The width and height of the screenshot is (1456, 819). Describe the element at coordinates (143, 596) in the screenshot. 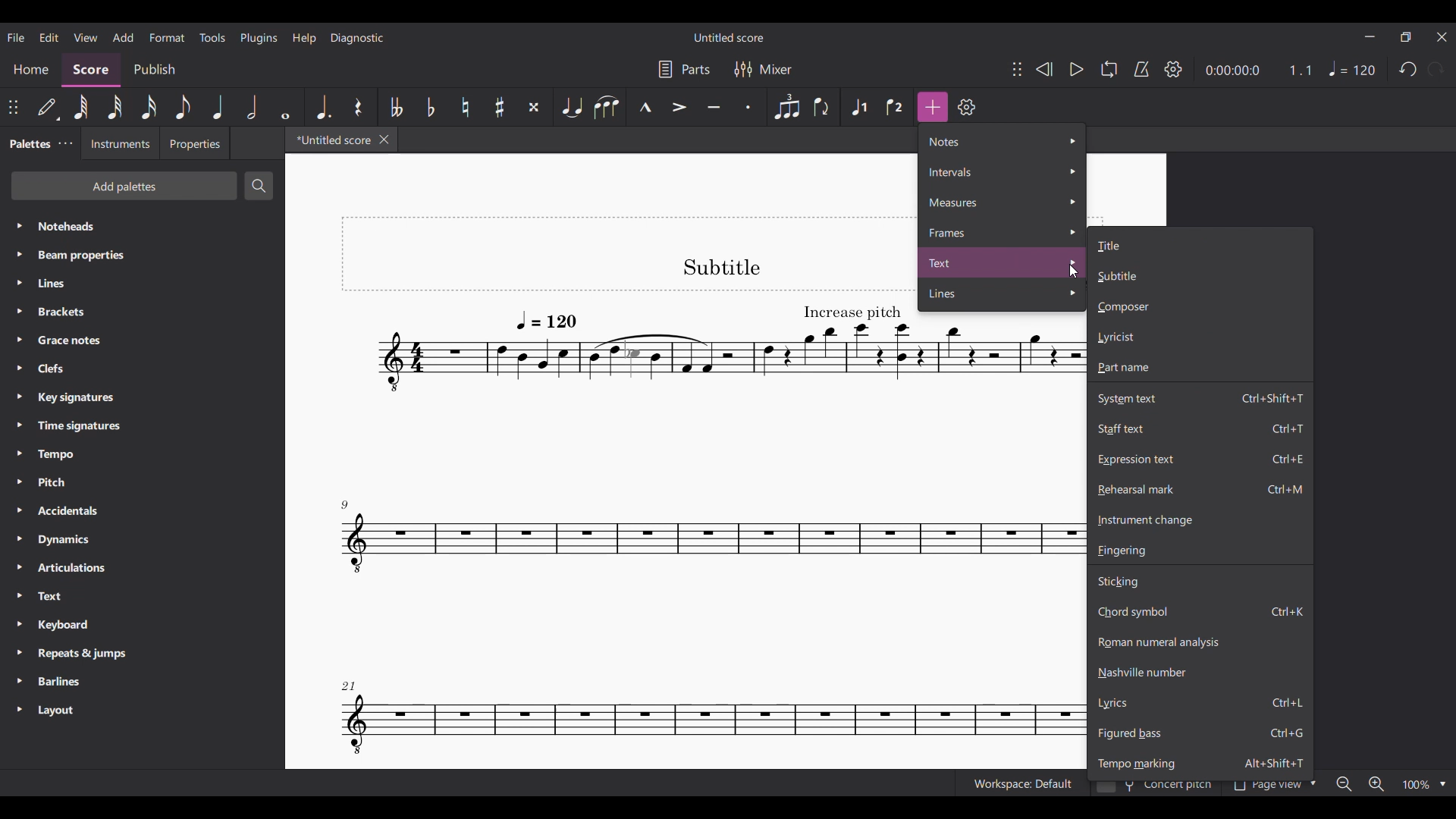

I see `Text` at that location.